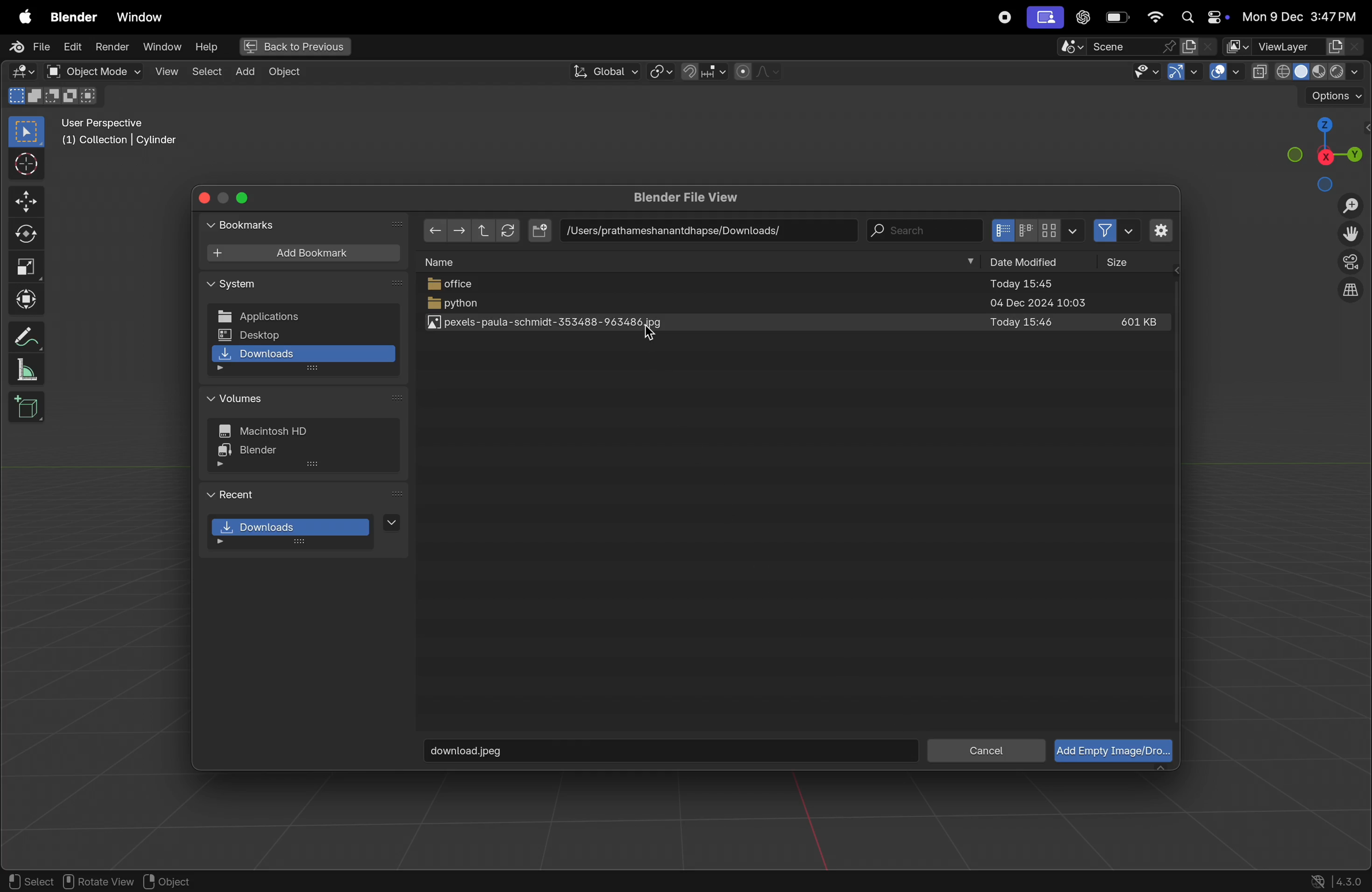 The height and width of the screenshot is (892, 1372). Describe the element at coordinates (26, 267) in the screenshot. I see `scale` at that location.